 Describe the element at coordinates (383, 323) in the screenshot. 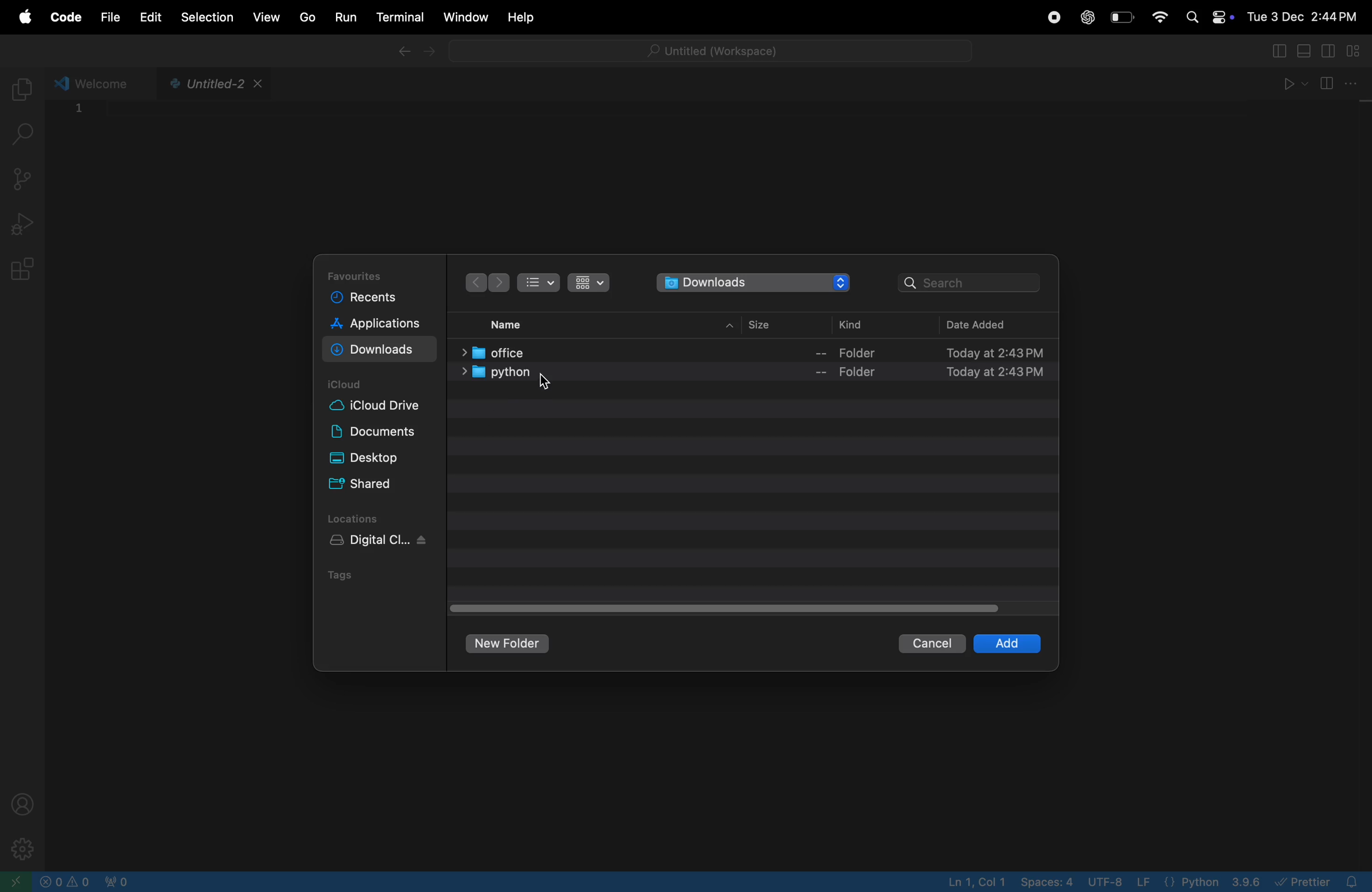

I see `applications` at that location.